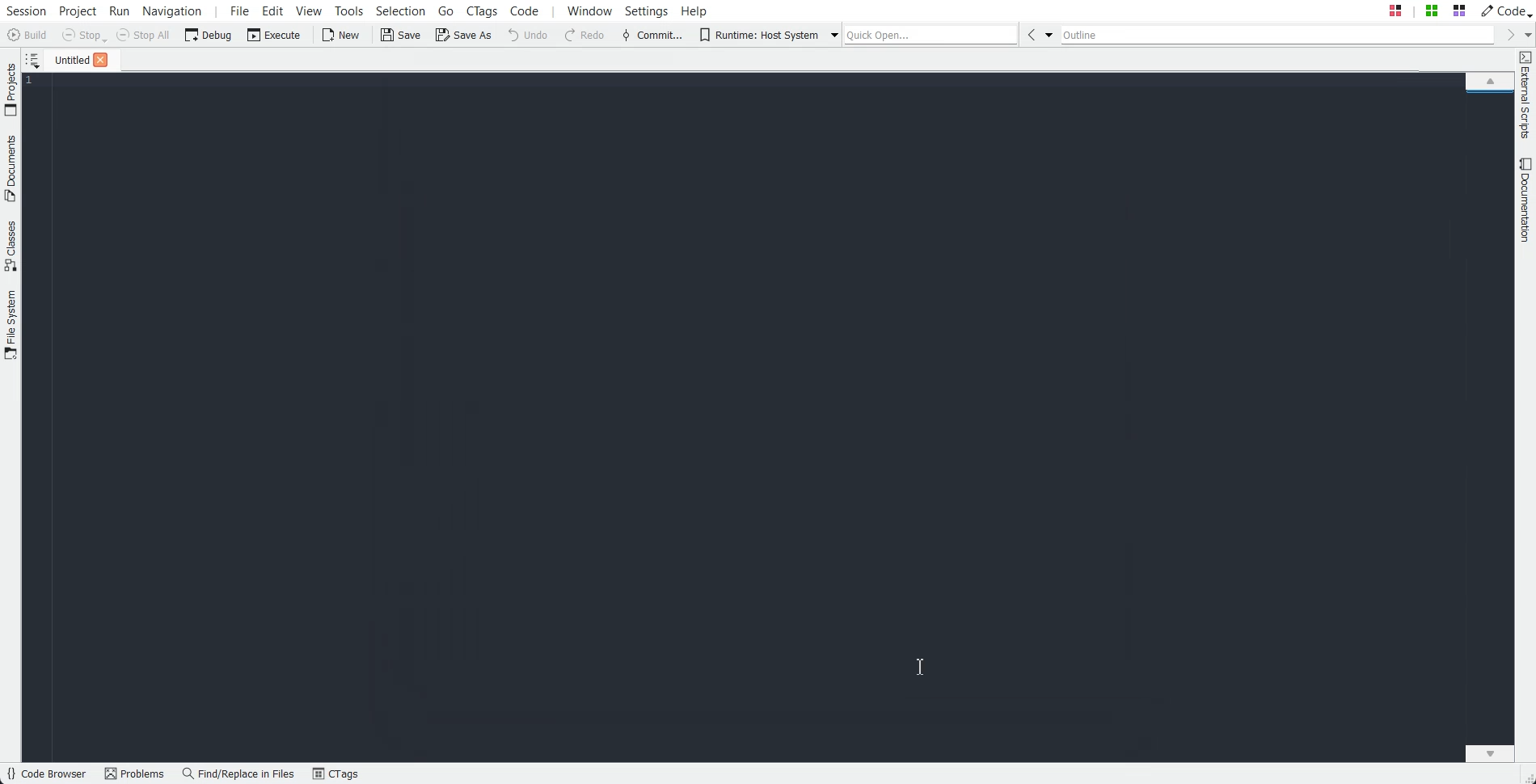 This screenshot has height=784, width=1536. What do you see at coordinates (585, 36) in the screenshot?
I see `Redo` at bounding box center [585, 36].